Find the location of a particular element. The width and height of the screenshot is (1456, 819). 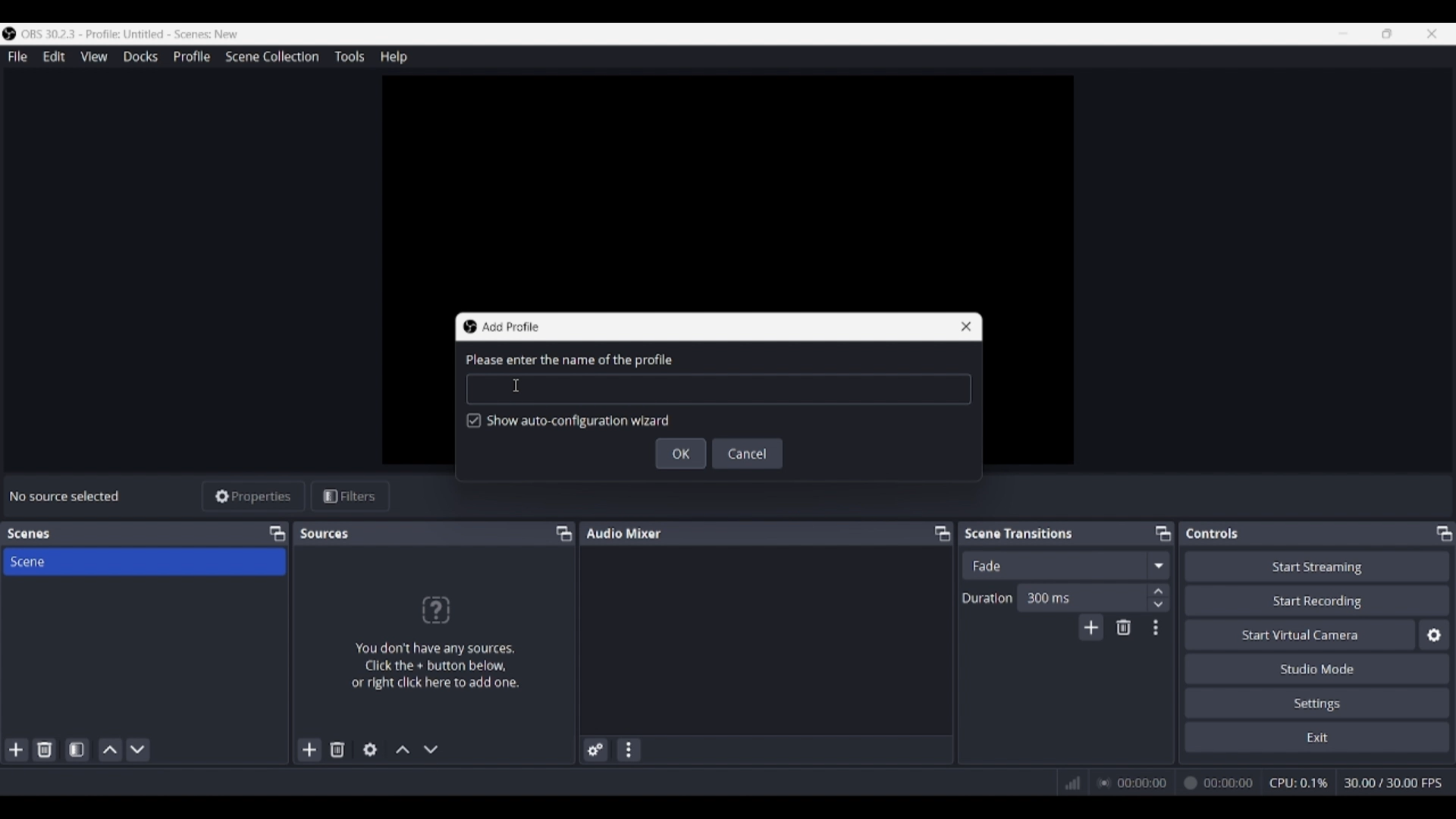

Move source down is located at coordinates (431, 749).